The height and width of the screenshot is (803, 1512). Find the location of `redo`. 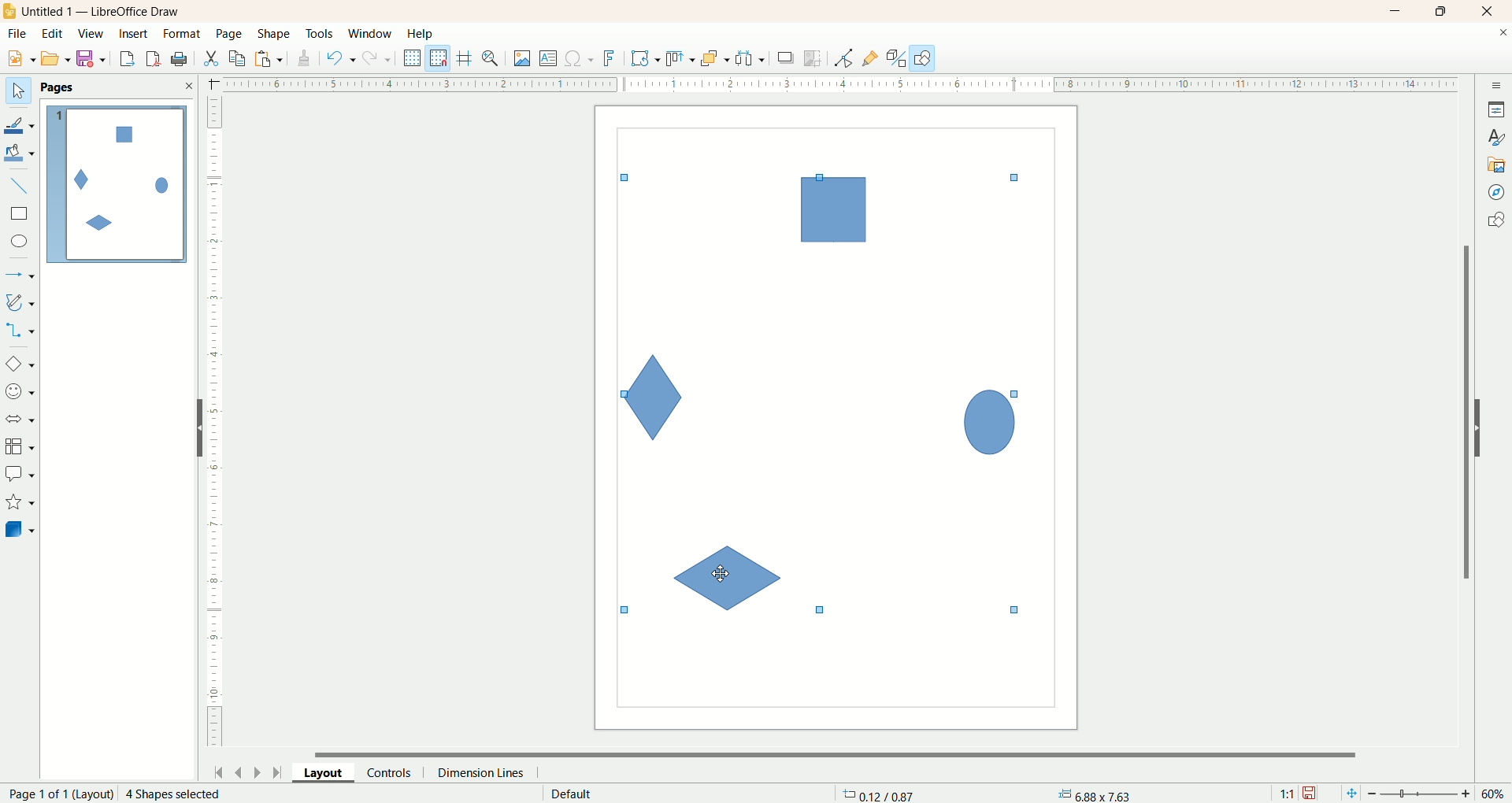

redo is located at coordinates (380, 57).